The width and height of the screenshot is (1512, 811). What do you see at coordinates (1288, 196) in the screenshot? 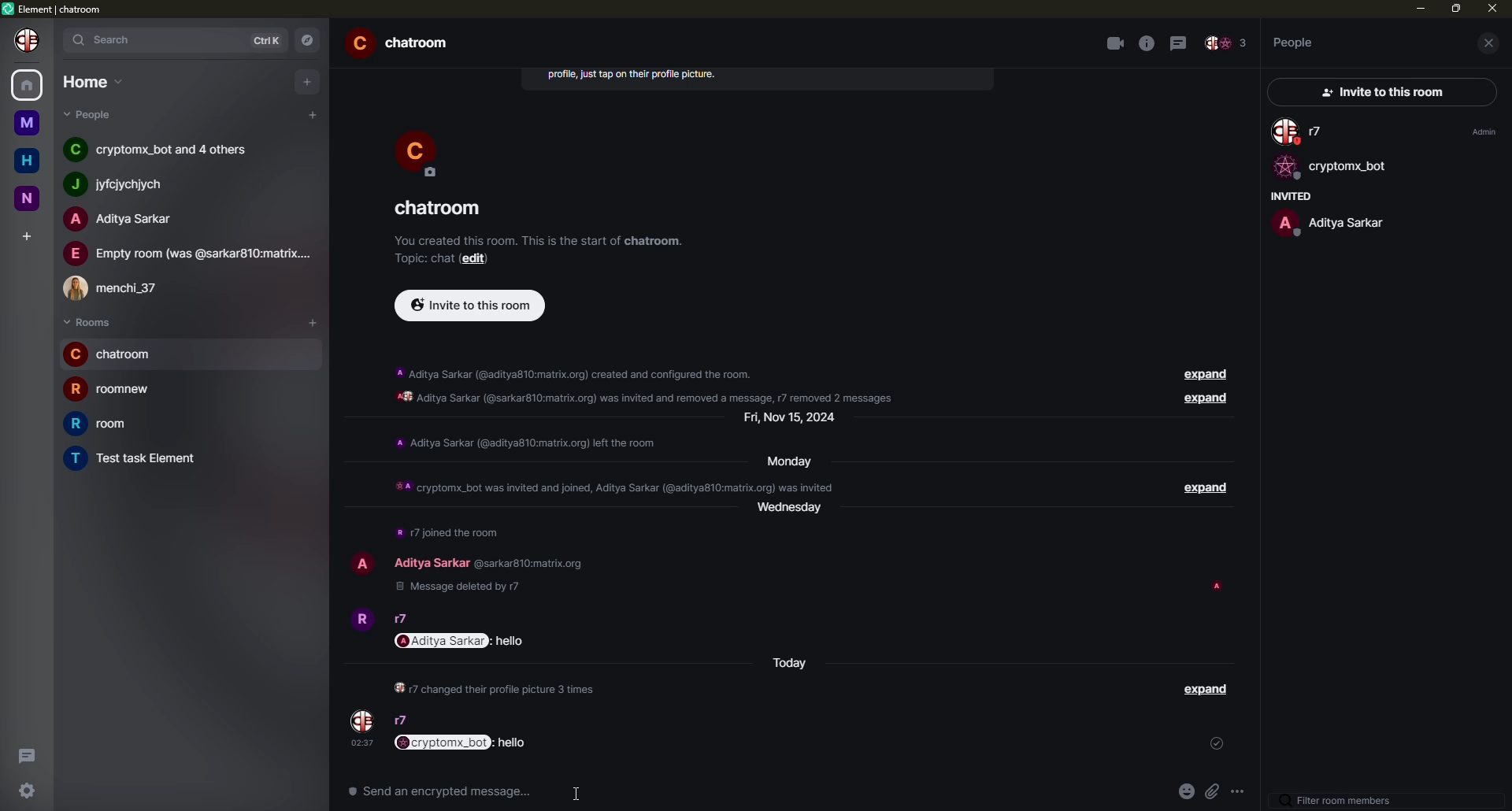
I see `invited` at bounding box center [1288, 196].